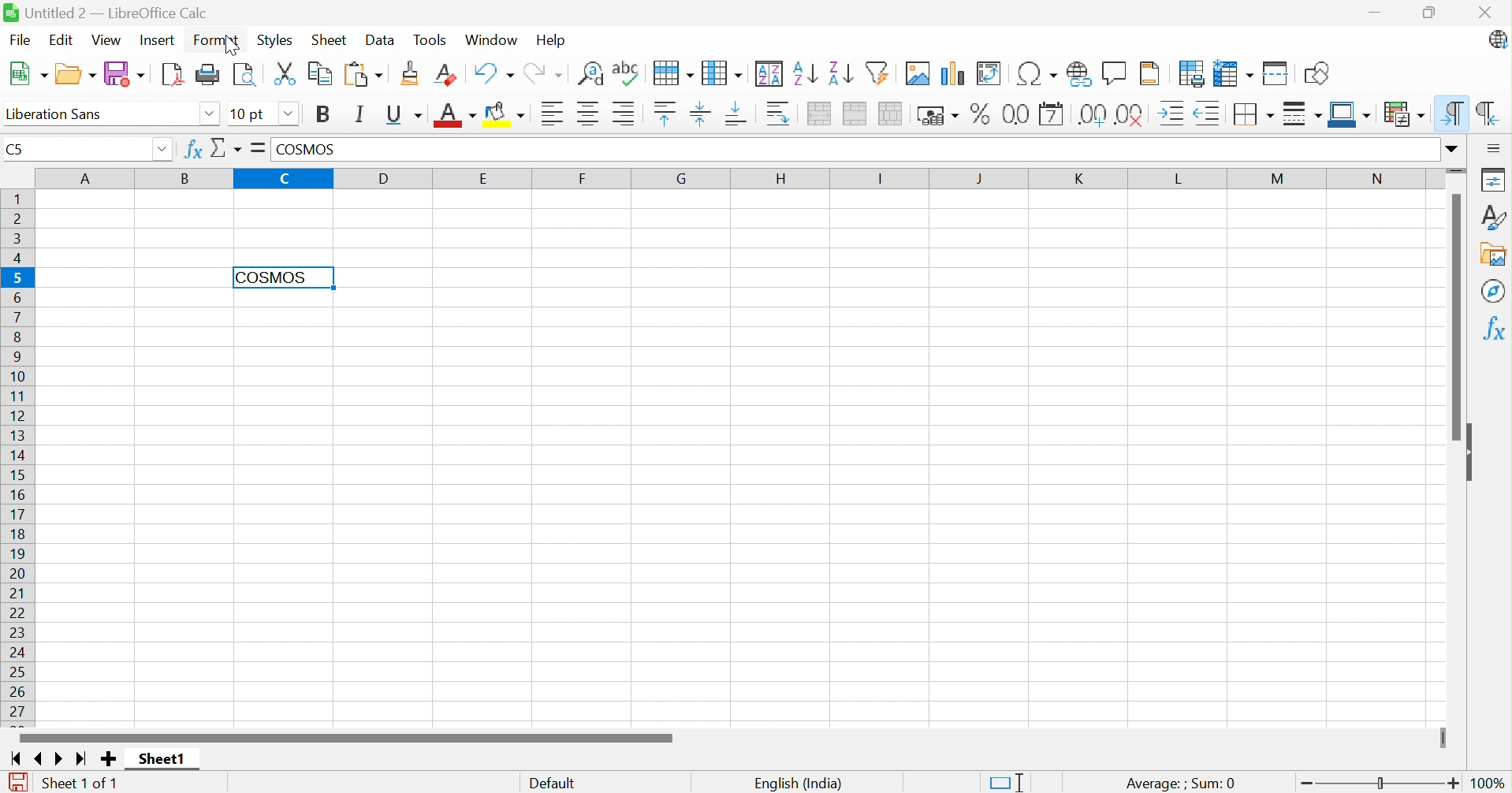 This screenshot has height=793, width=1512. I want to click on LibreOffice Update Available, so click(1499, 39).